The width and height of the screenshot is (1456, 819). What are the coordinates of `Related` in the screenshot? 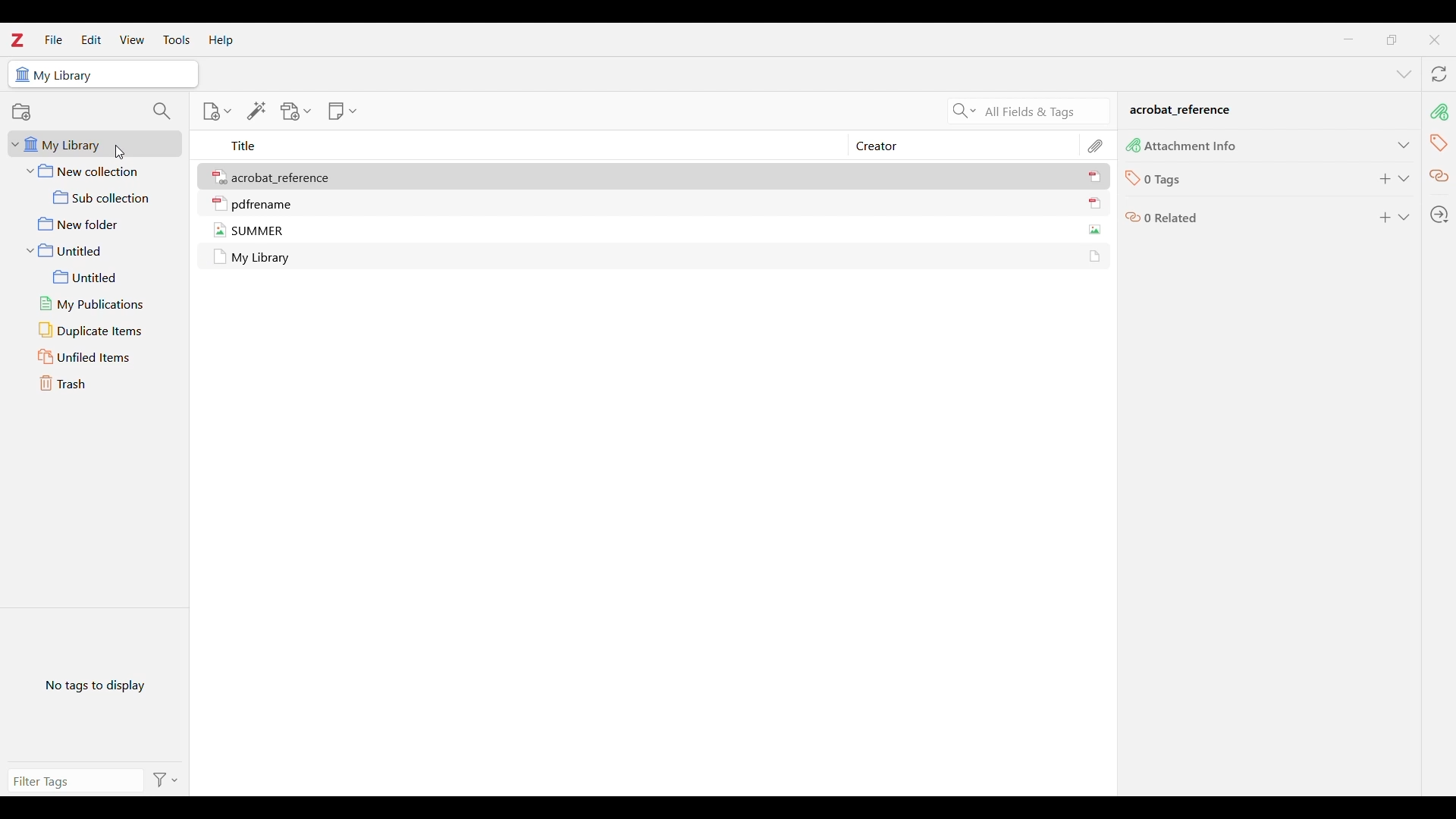 It's located at (1439, 177).